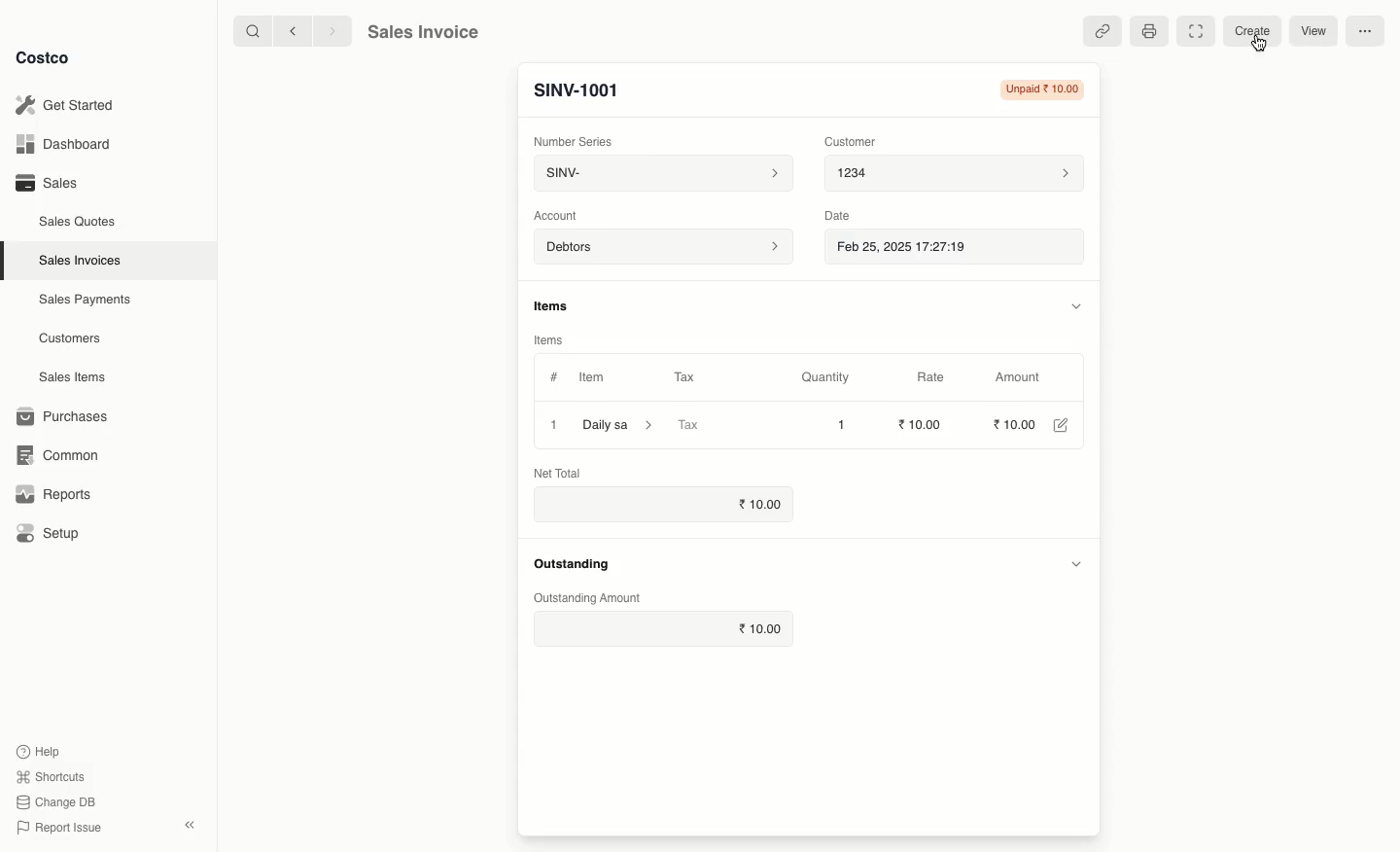 This screenshot has height=852, width=1400. Describe the element at coordinates (1150, 32) in the screenshot. I see `Print` at that location.